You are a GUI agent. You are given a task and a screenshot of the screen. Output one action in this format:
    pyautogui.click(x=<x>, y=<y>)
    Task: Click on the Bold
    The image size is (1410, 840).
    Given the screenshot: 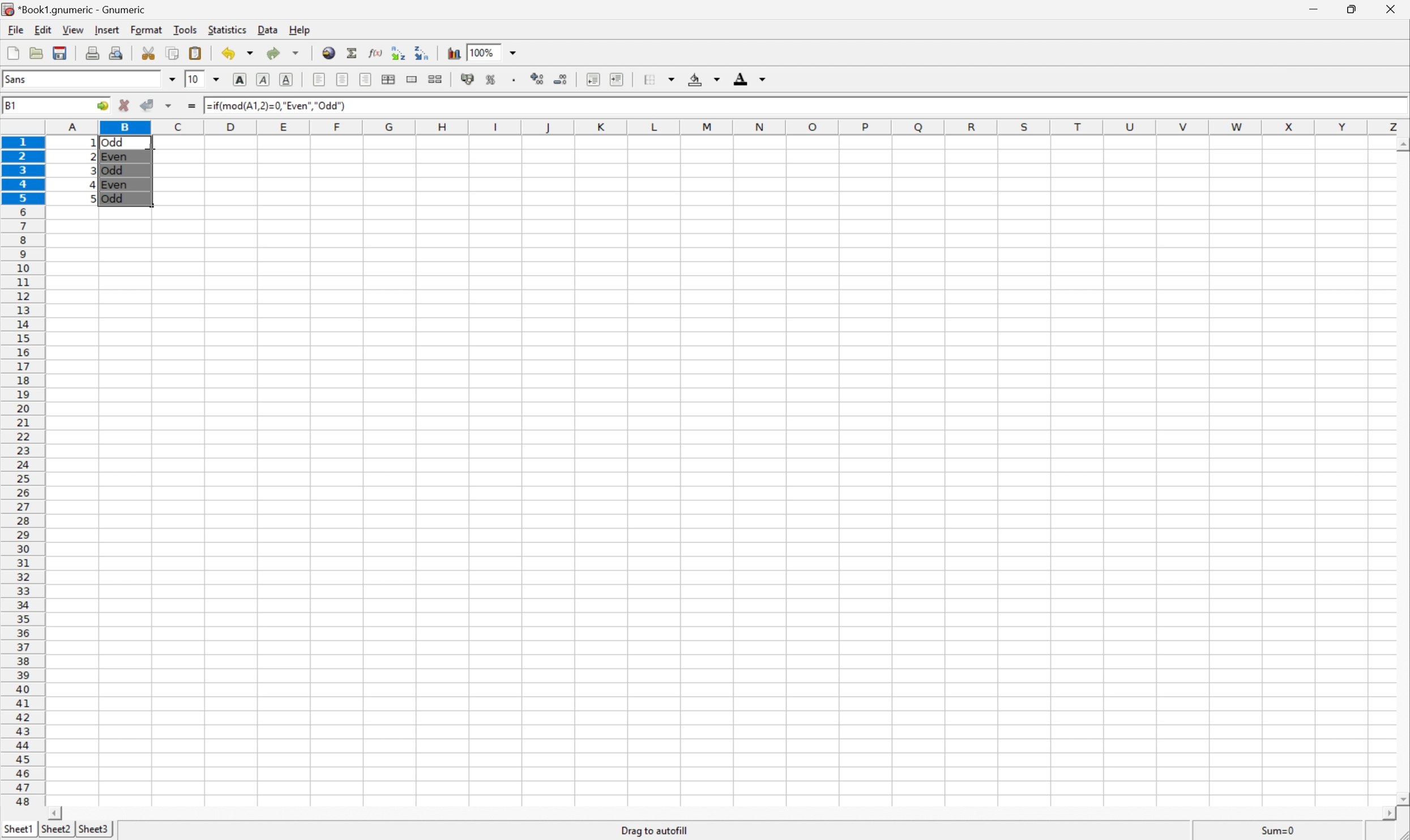 What is the action you would take?
    pyautogui.click(x=239, y=78)
    